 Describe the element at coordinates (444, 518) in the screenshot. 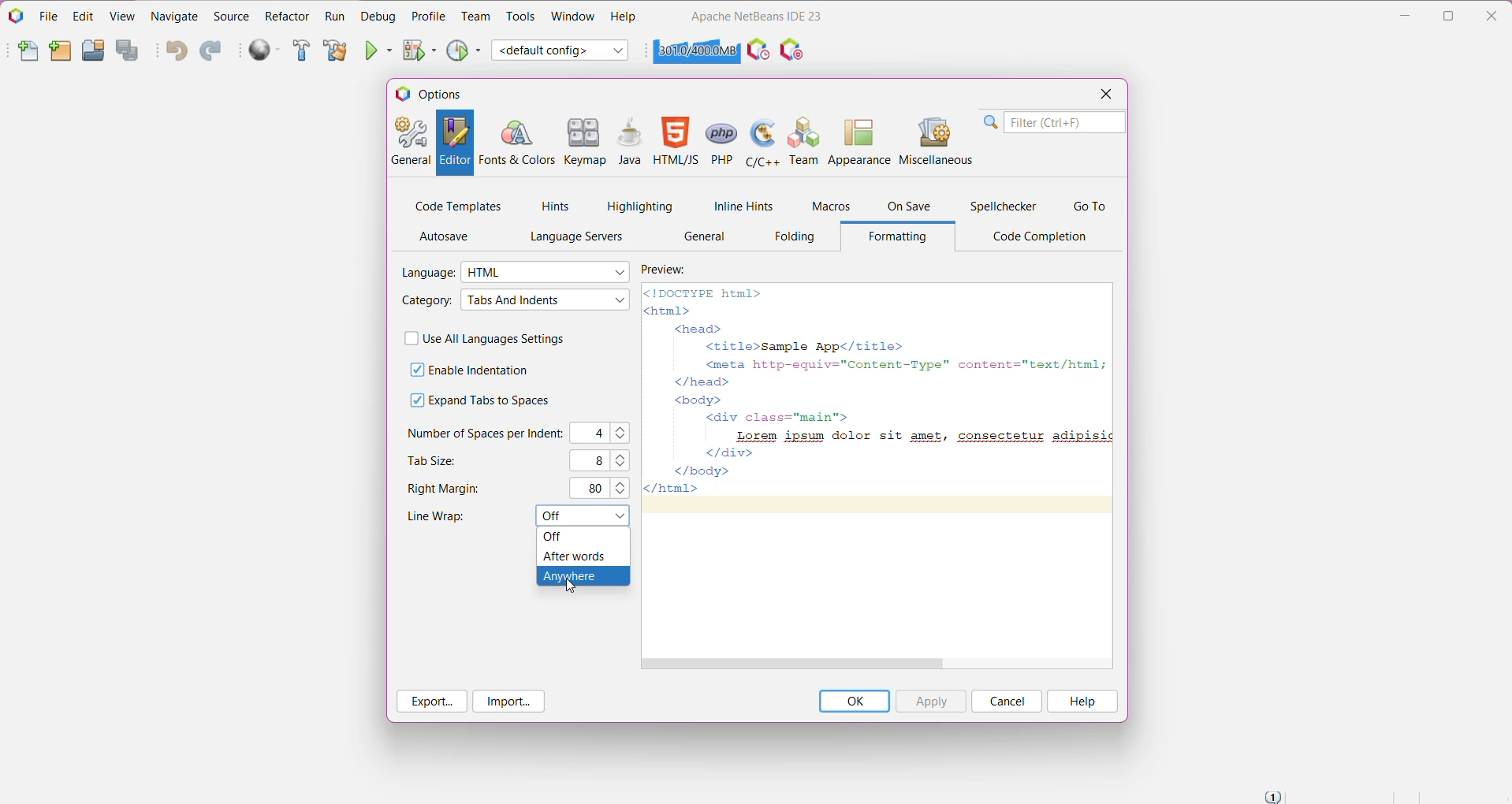

I see `Line Wrap` at that location.